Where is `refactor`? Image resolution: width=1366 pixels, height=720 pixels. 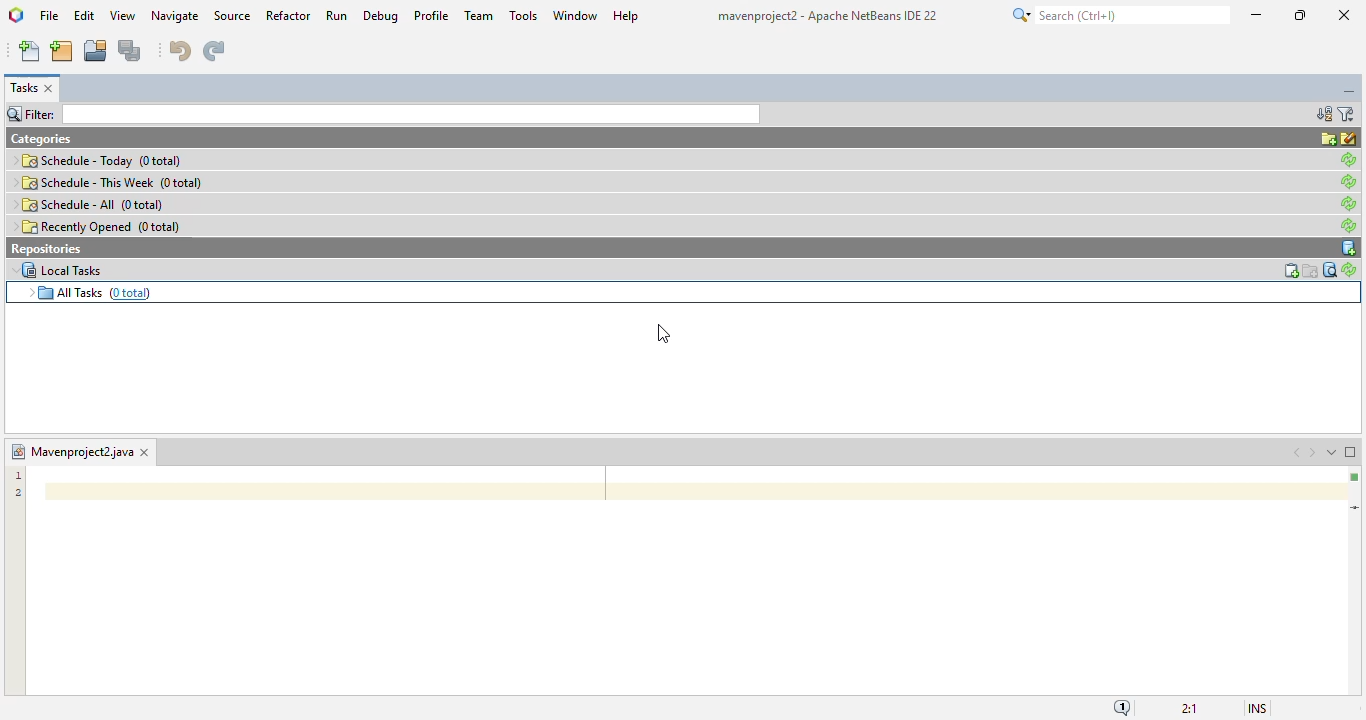 refactor is located at coordinates (289, 15).